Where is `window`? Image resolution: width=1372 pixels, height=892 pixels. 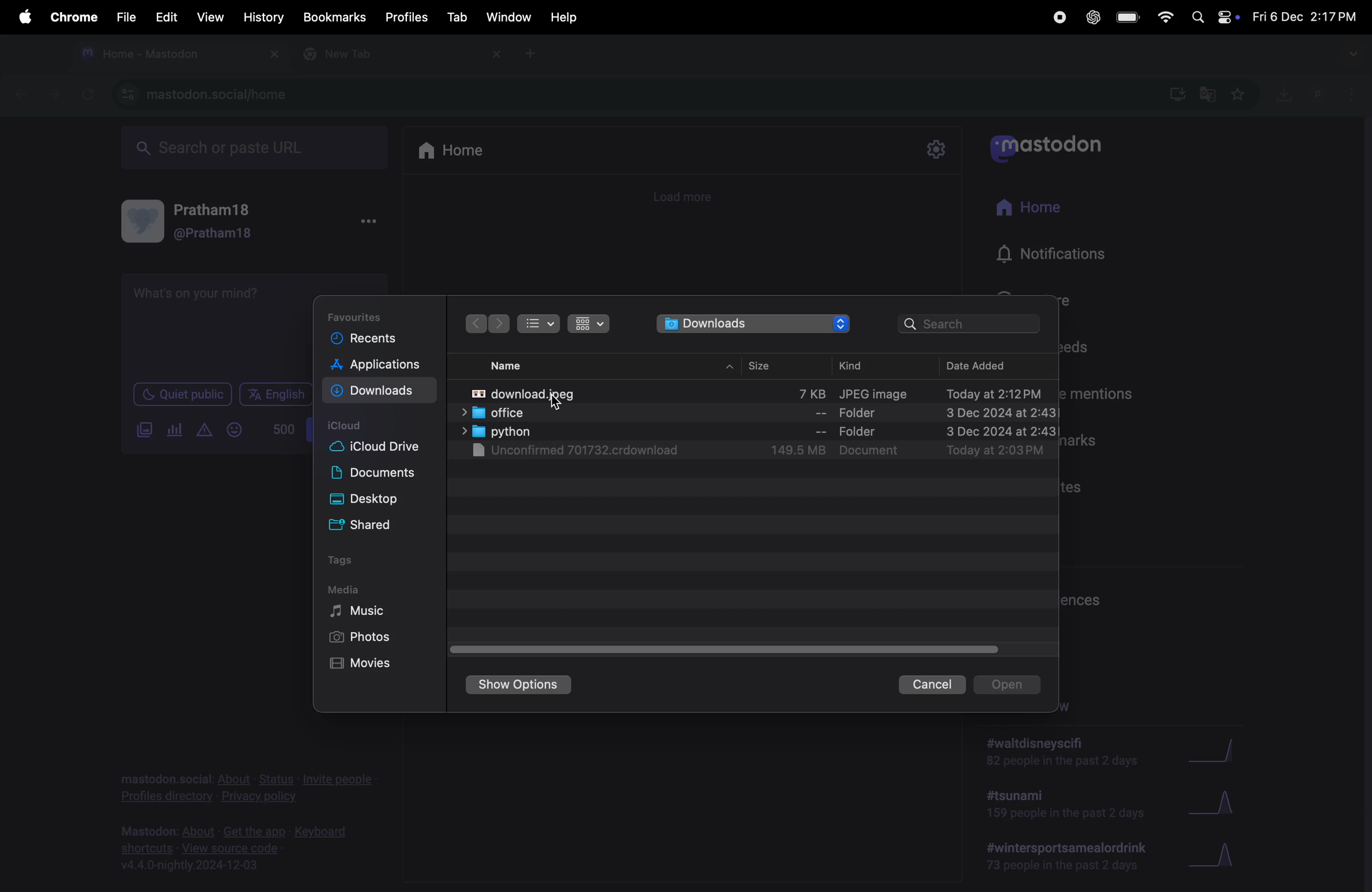
window is located at coordinates (510, 18).